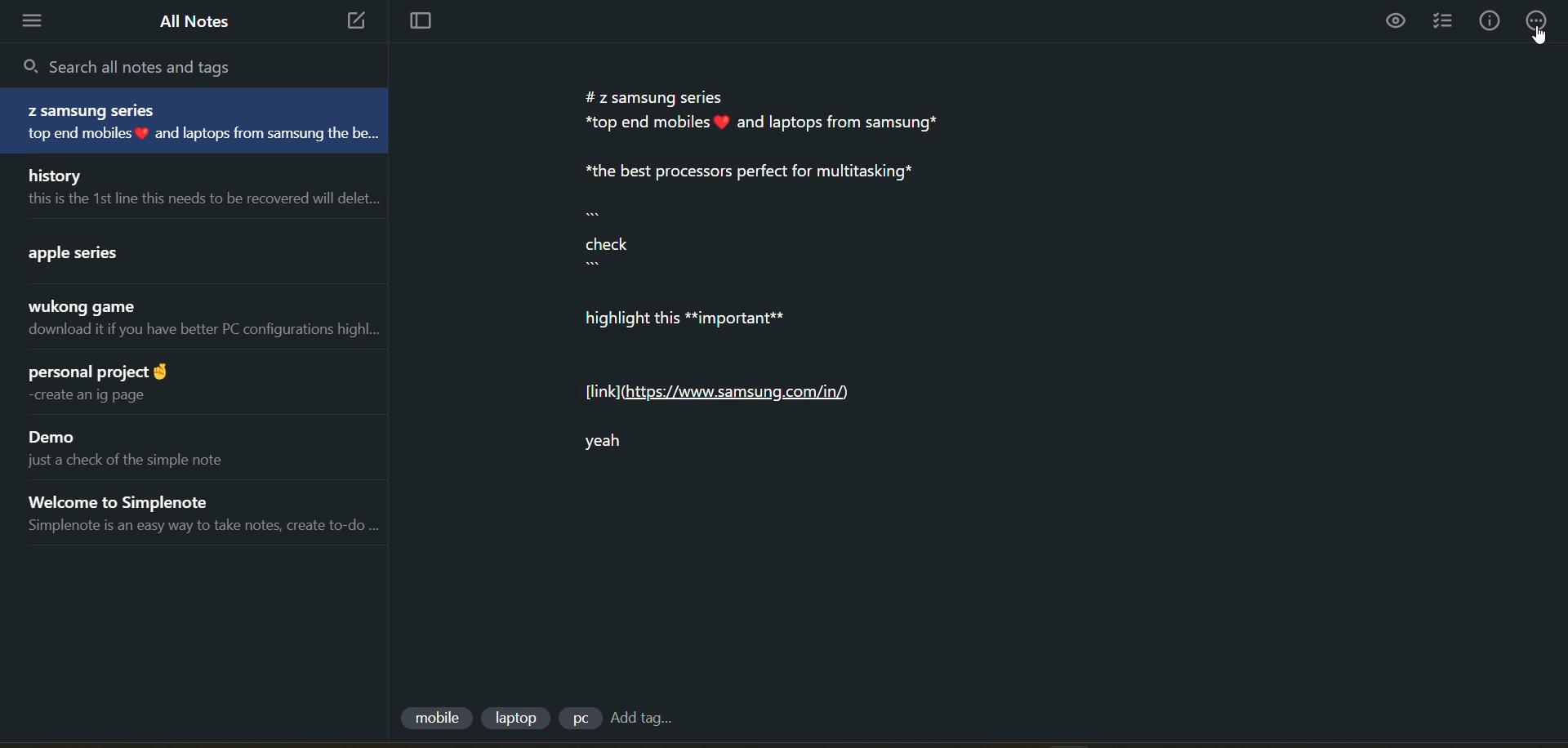 This screenshot has width=1568, height=748. What do you see at coordinates (38, 21) in the screenshot?
I see `menu` at bounding box center [38, 21].